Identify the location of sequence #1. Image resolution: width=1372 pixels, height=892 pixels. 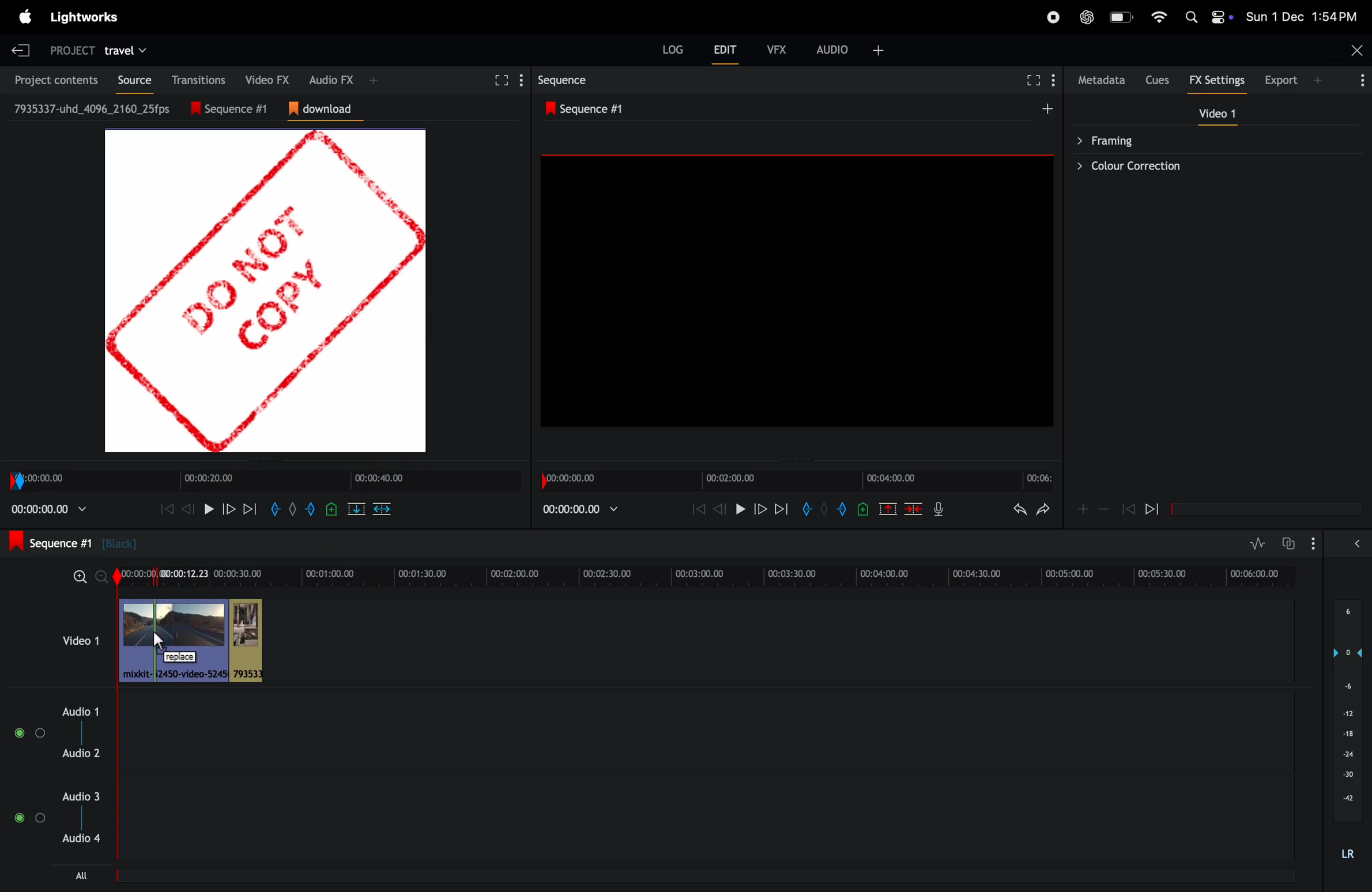
(73, 542).